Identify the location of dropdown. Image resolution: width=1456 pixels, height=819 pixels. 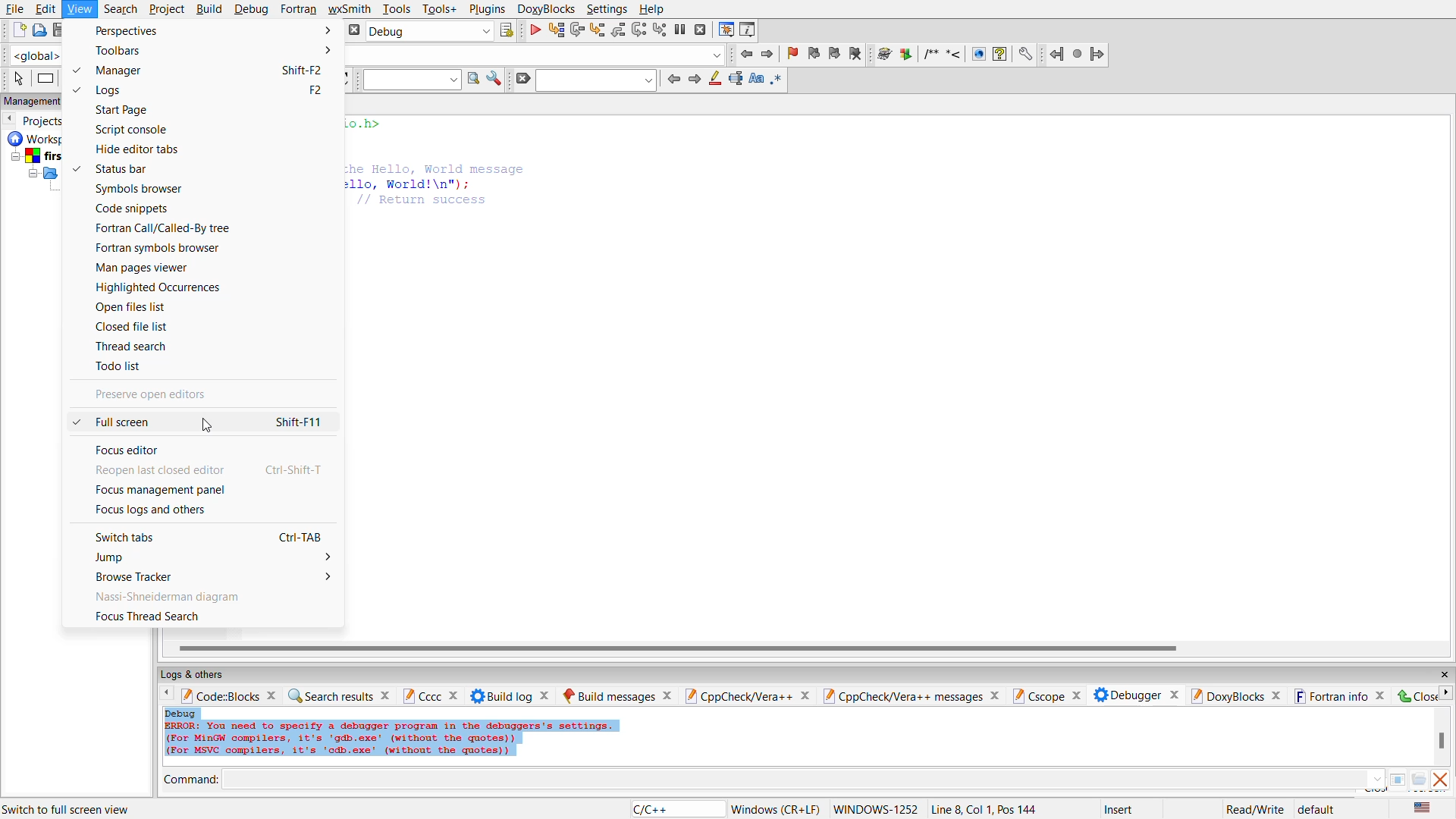
(1376, 778).